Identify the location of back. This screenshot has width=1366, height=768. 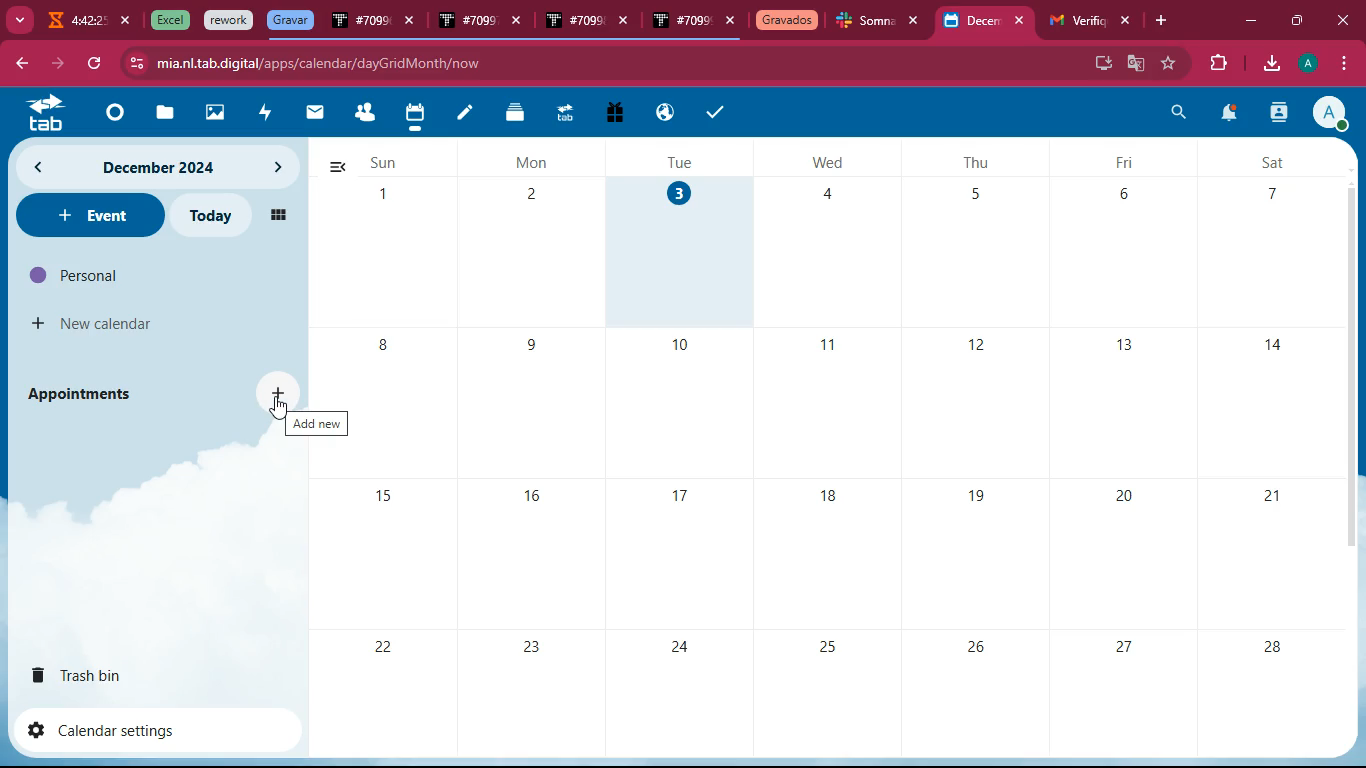
(336, 167).